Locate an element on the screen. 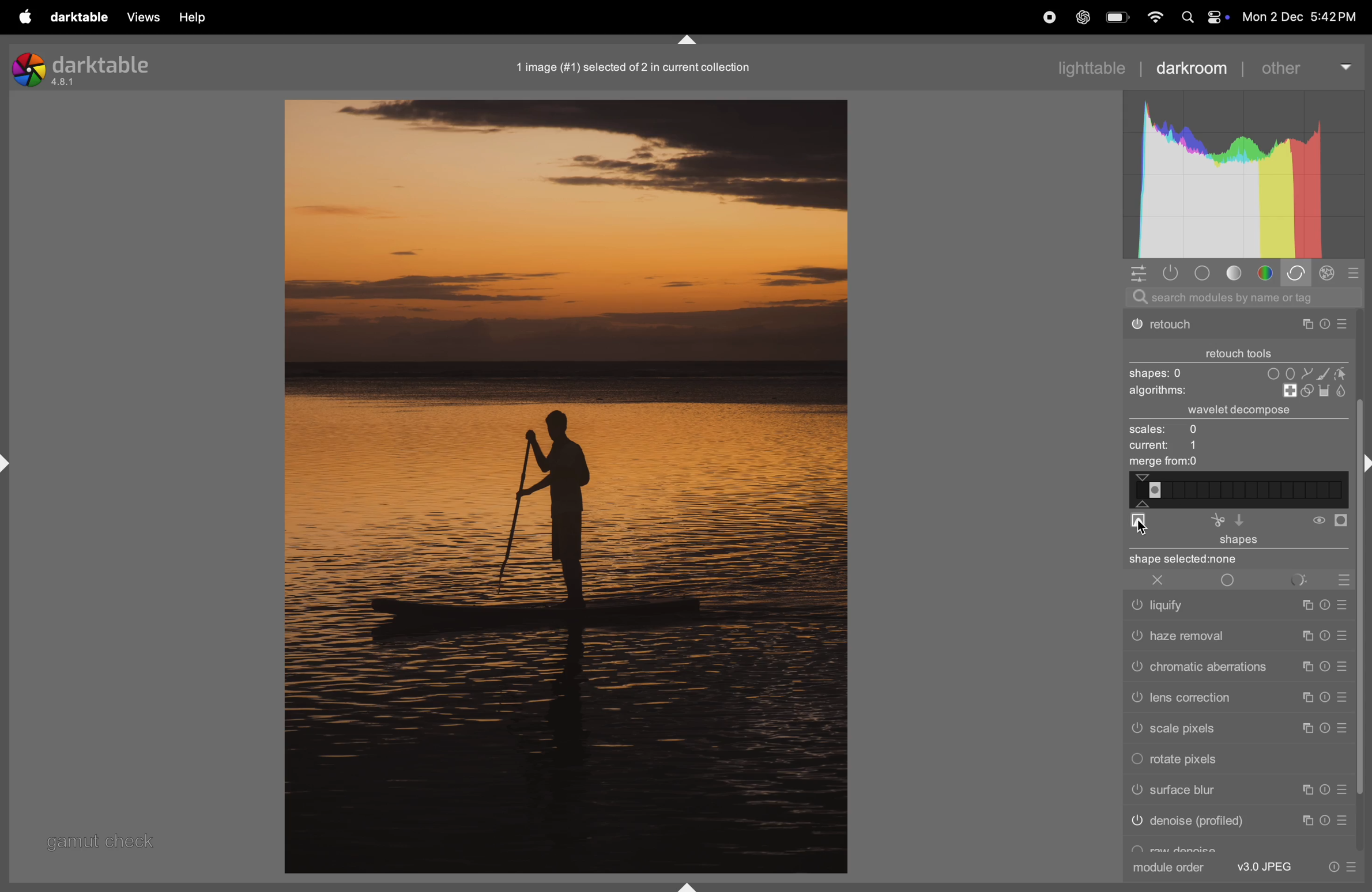 The width and height of the screenshot is (1372, 892). collapse is located at coordinates (1363, 462).